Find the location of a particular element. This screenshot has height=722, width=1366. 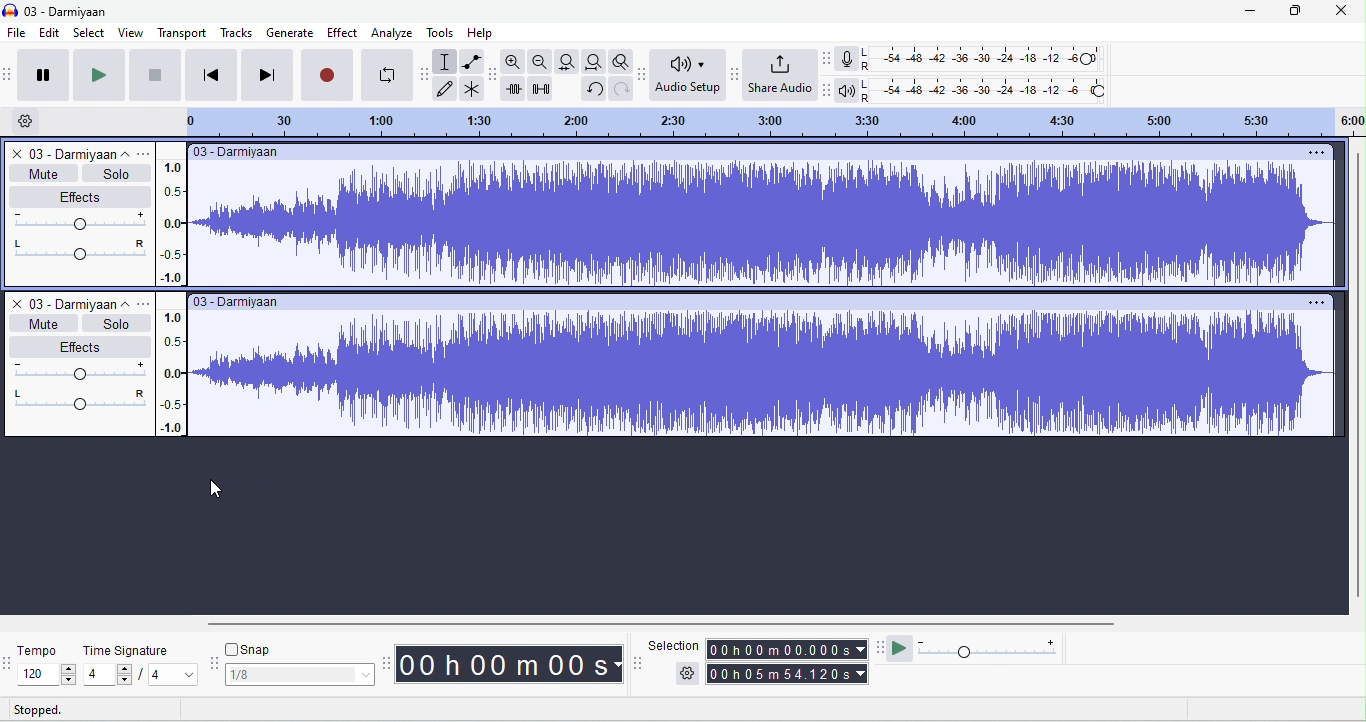

audacity tools toolbar is located at coordinates (424, 76).